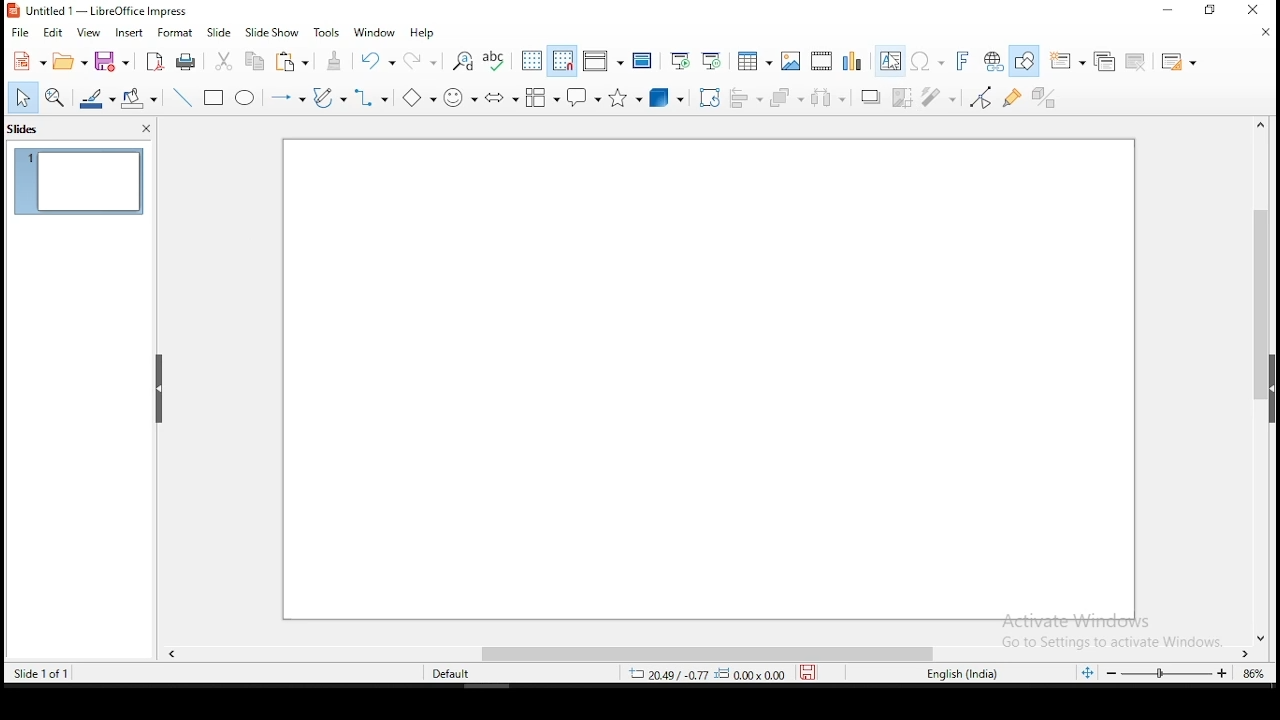  I want to click on start from first slide, so click(677, 63).